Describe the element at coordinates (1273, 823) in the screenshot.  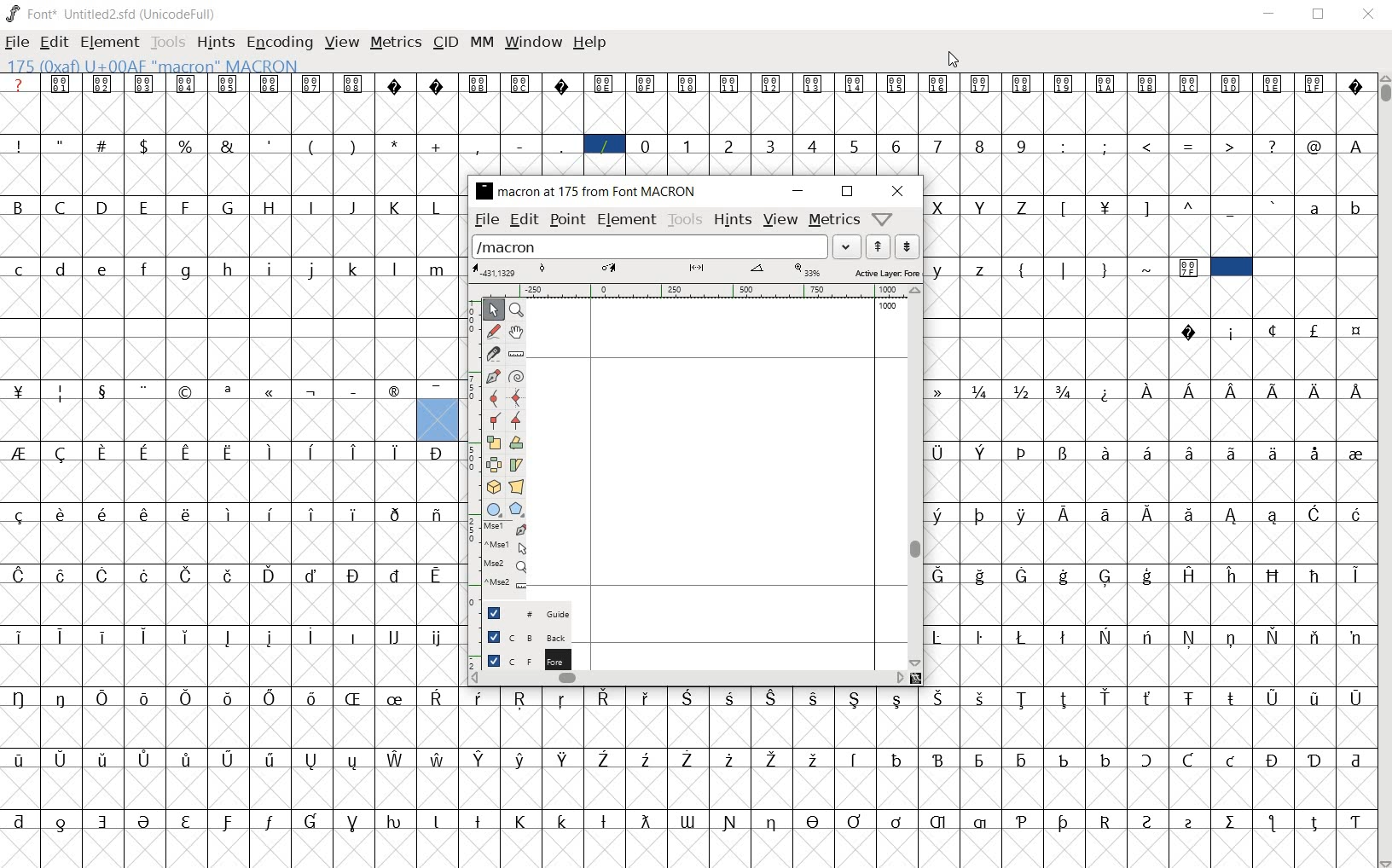
I see `Symbol` at that location.